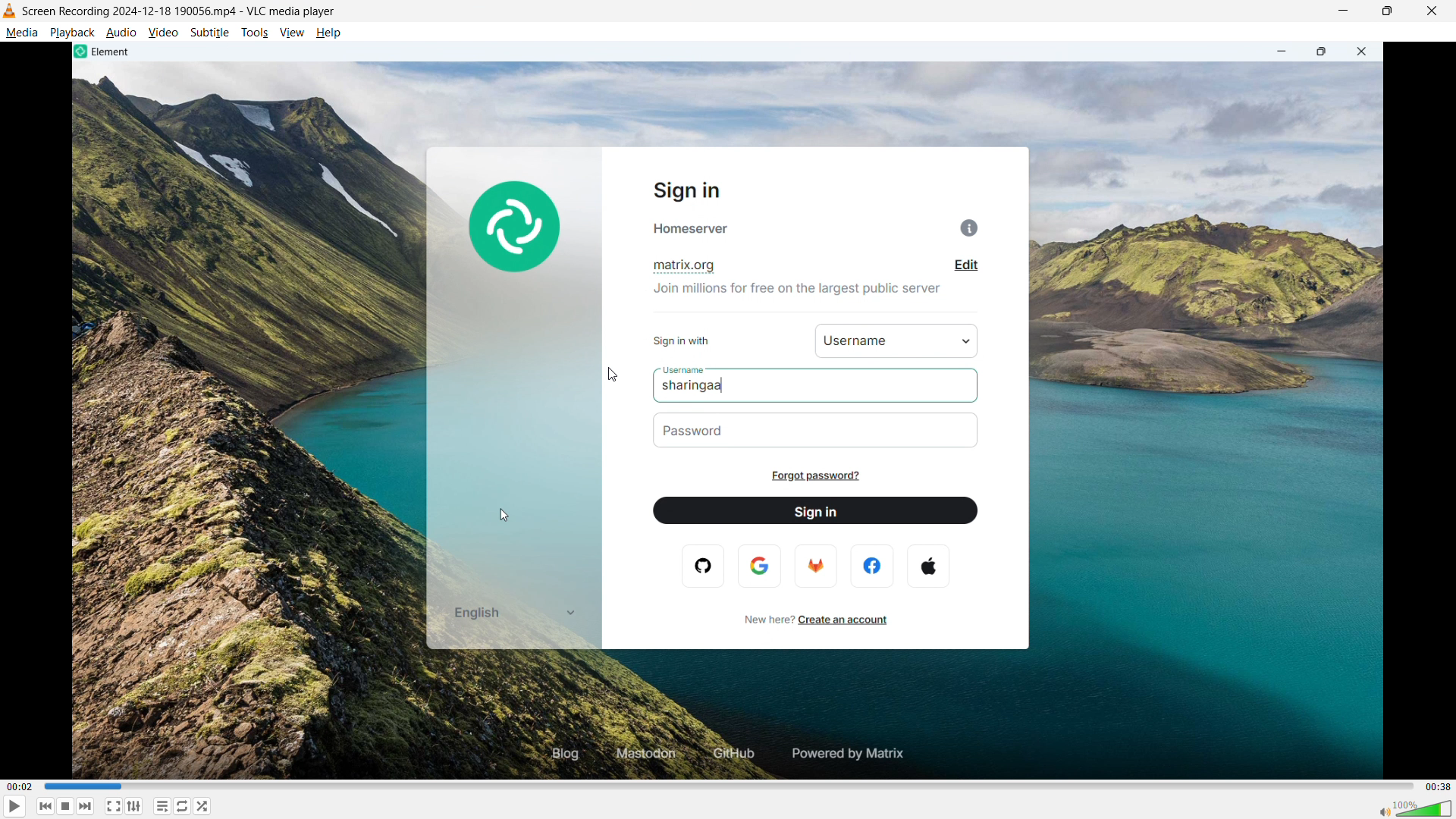 The width and height of the screenshot is (1456, 819). What do you see at coordinates (122, 32) in the screenshot?
I see `Audio ` at bounding box center [122, 32].